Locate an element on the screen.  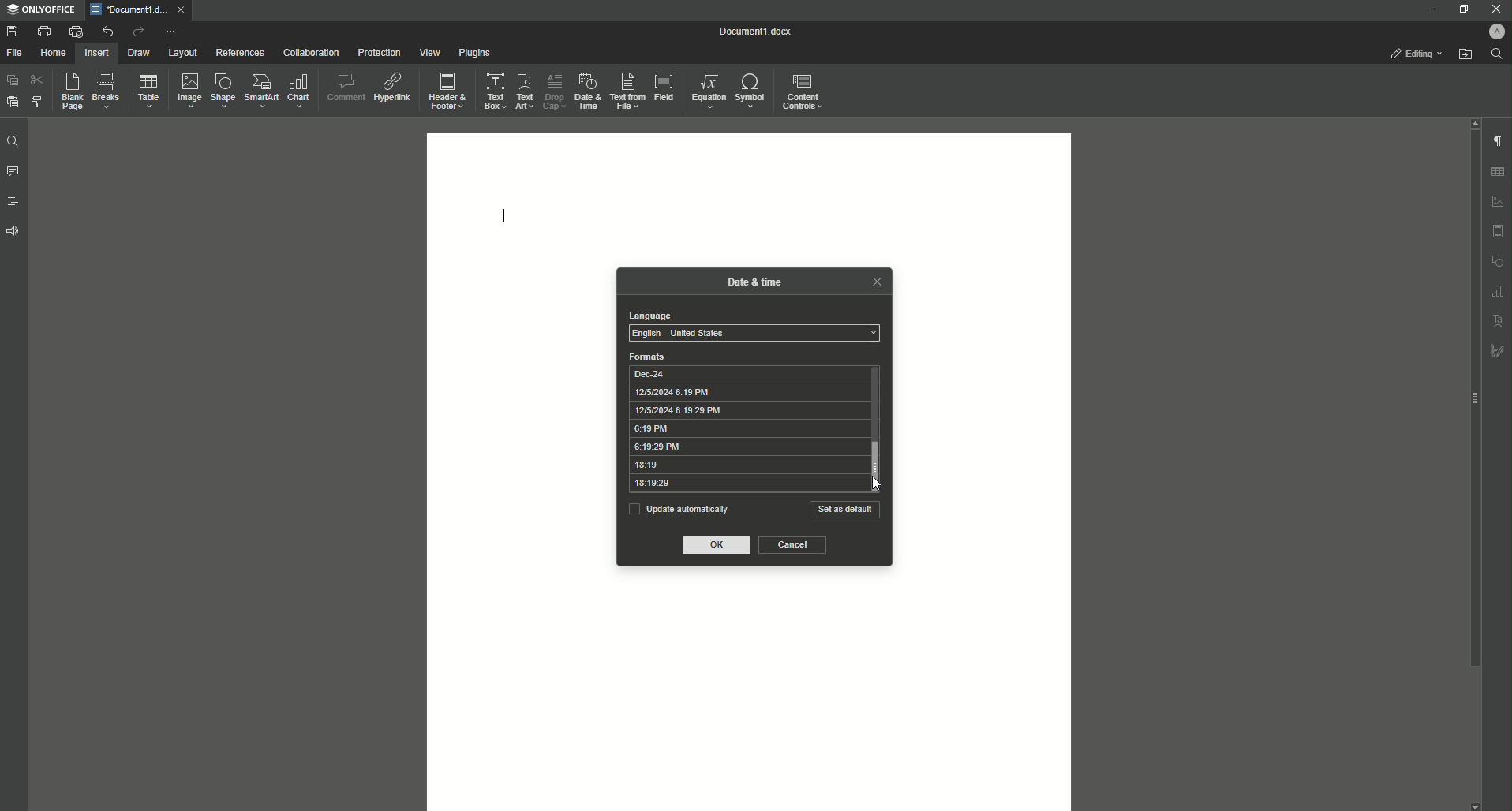
Layout is located at coordinates (183, 53).